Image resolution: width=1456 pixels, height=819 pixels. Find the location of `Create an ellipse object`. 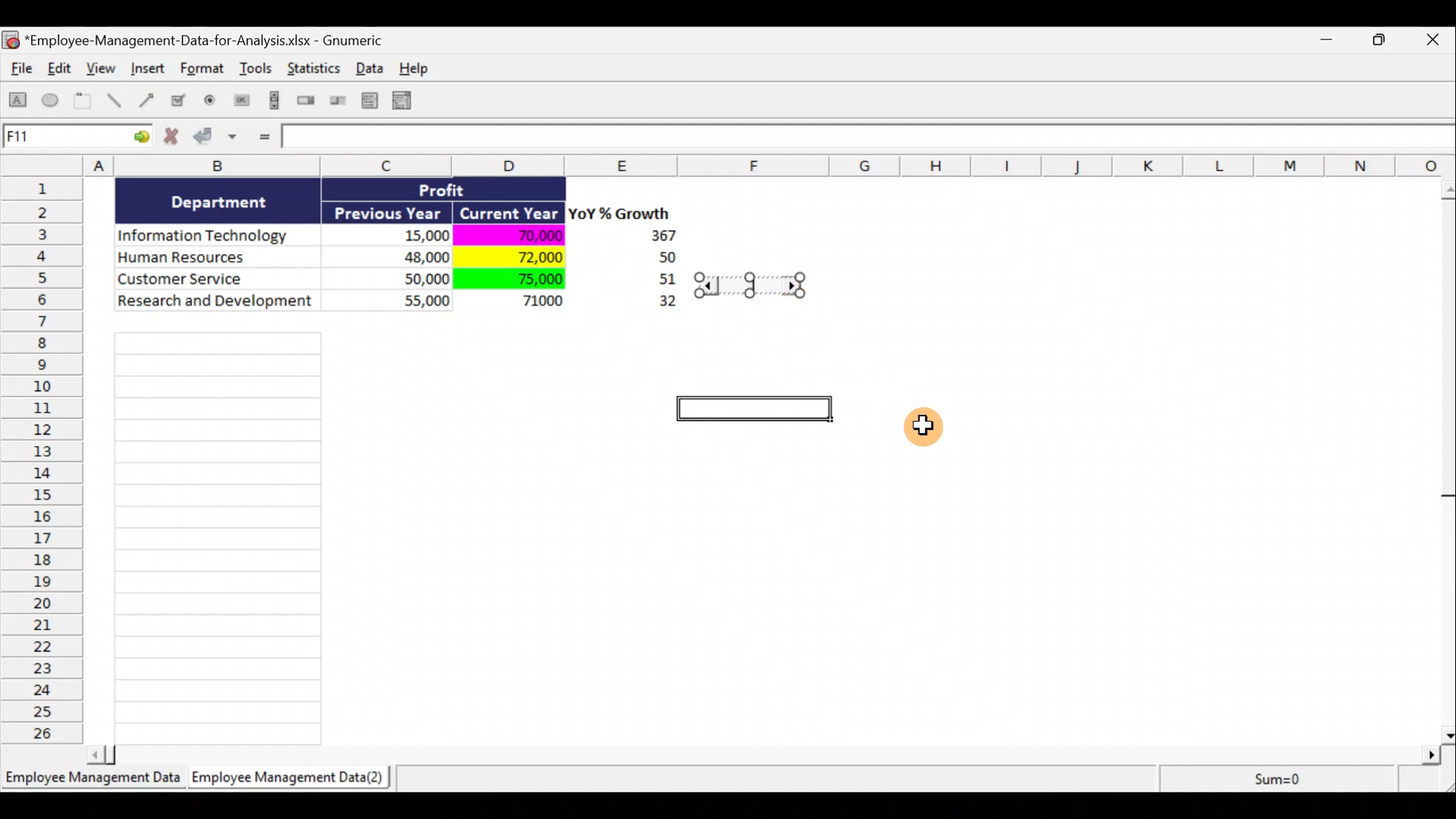

Create an ellipse object is located at coordinates (51, 101).